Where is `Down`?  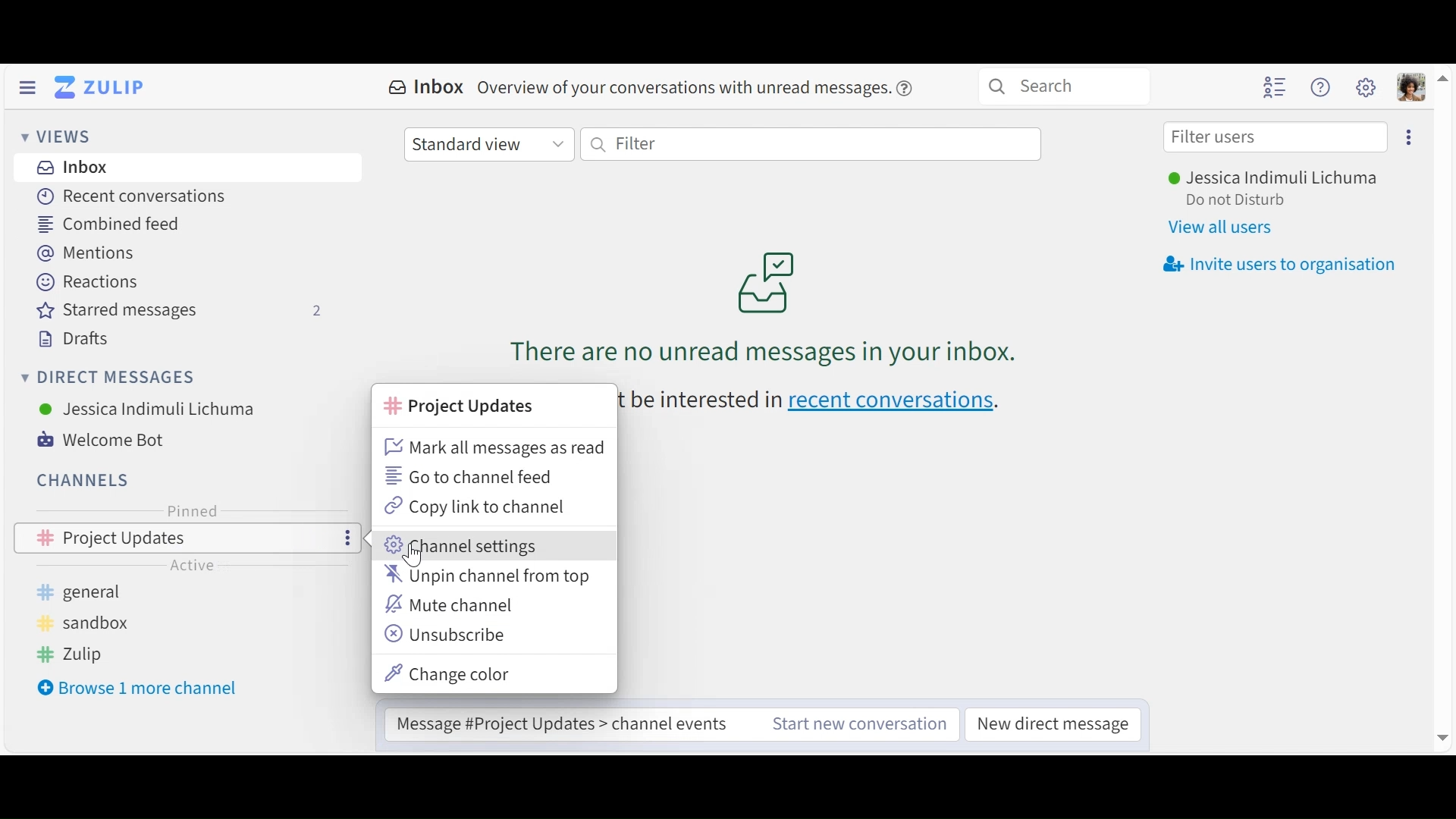 Down is located at coordinates (1439, 739).